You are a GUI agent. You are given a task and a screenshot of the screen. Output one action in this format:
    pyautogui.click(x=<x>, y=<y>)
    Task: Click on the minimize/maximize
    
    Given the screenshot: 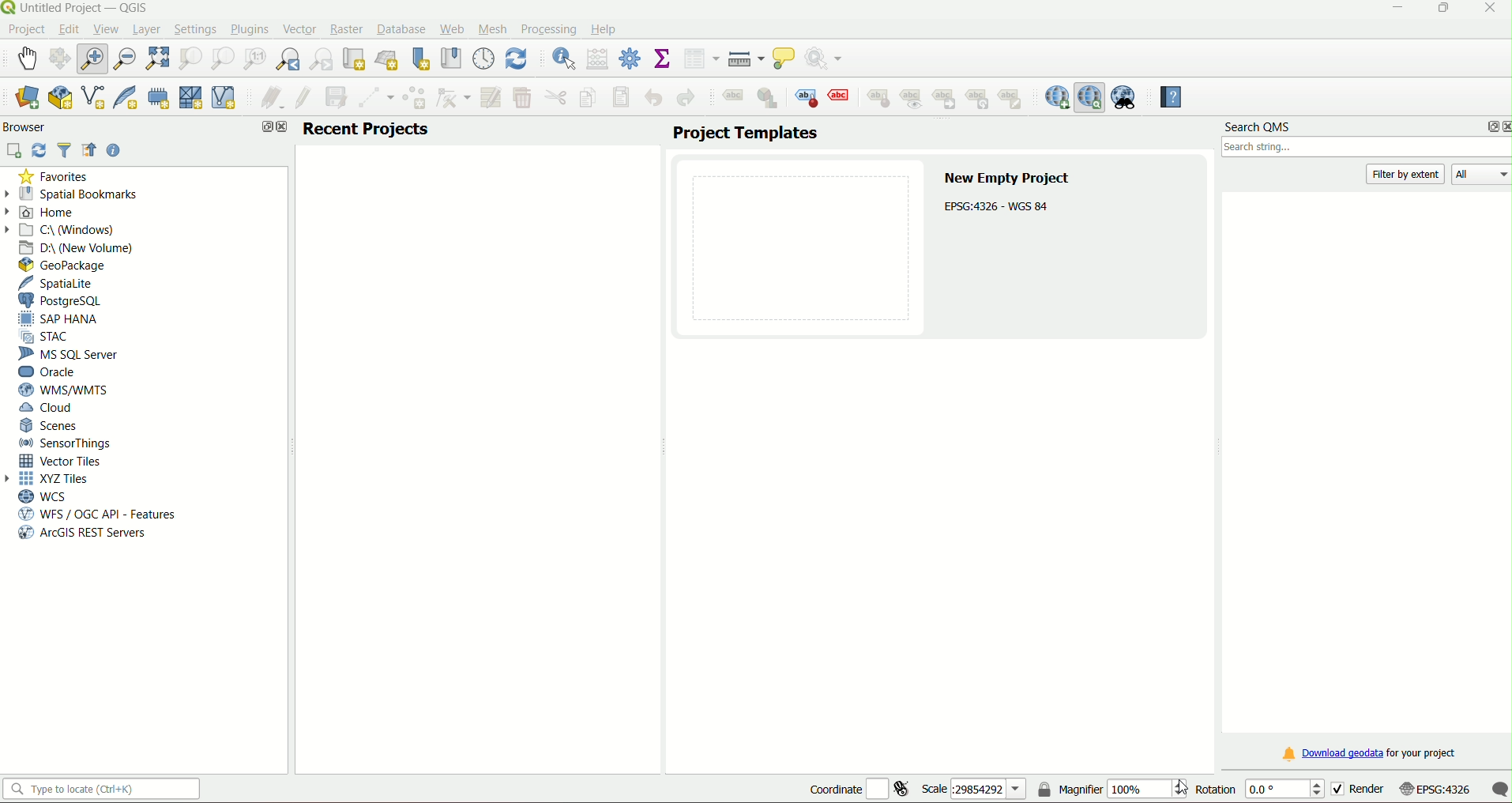 What is the action you would take?
    pyautogui.click(x=1442, y=9)
    